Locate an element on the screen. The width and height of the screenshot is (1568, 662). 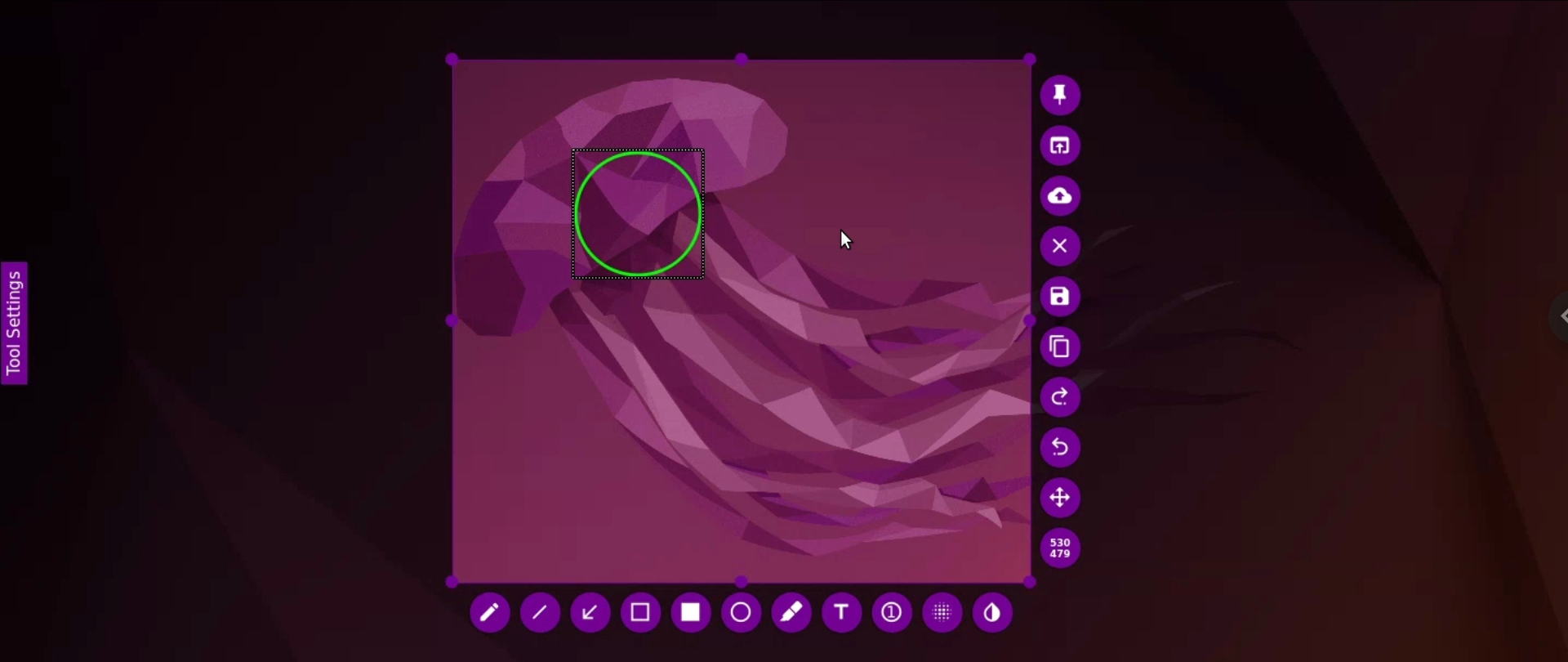
chrome options is located at coordinates (1547, 316).